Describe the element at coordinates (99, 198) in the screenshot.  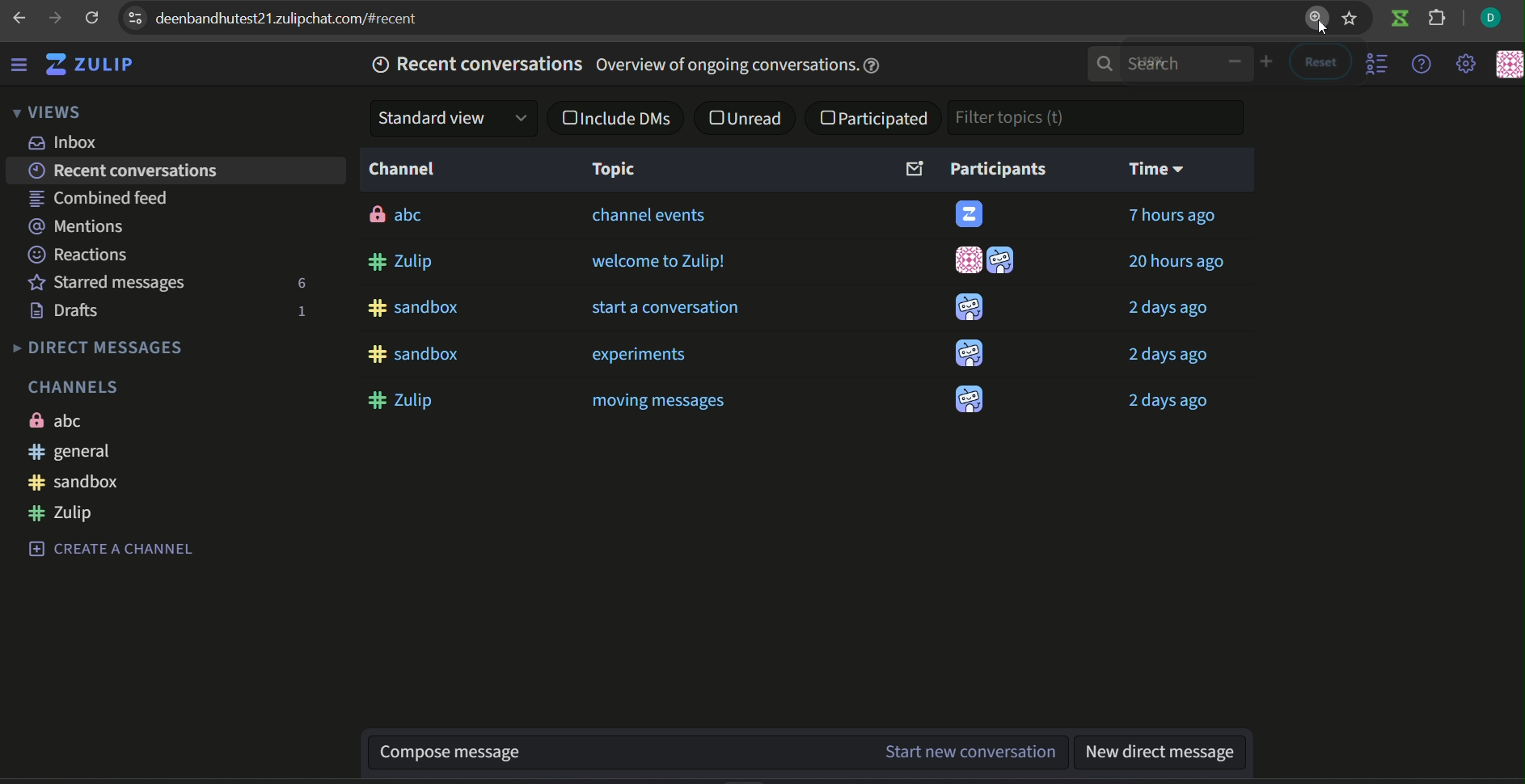
I see `Combined feed` at that location.